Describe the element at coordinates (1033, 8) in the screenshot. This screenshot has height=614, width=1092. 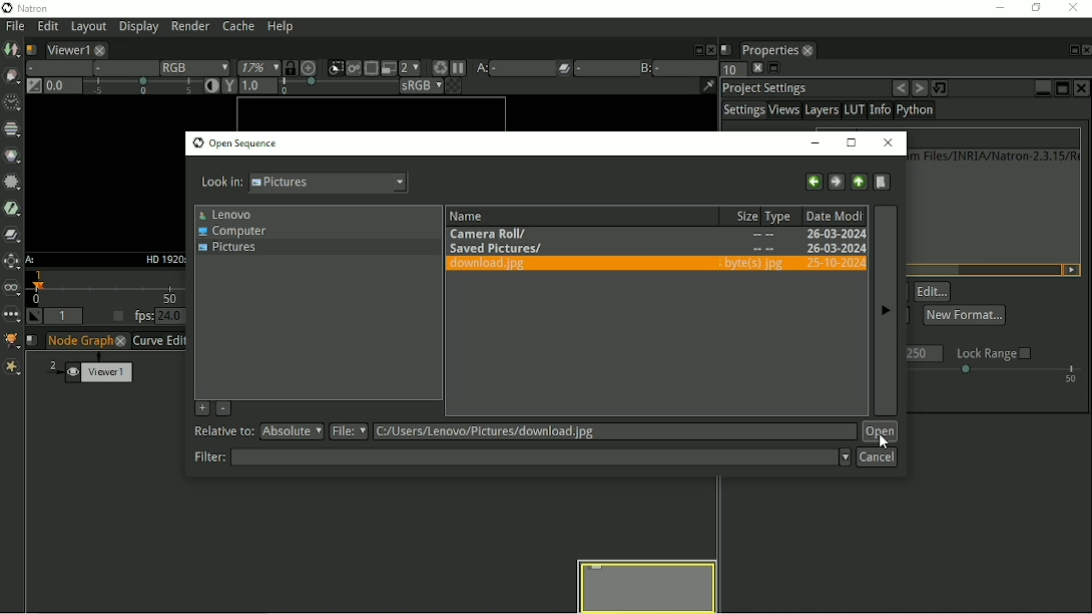
I see `Restore down` at that location.